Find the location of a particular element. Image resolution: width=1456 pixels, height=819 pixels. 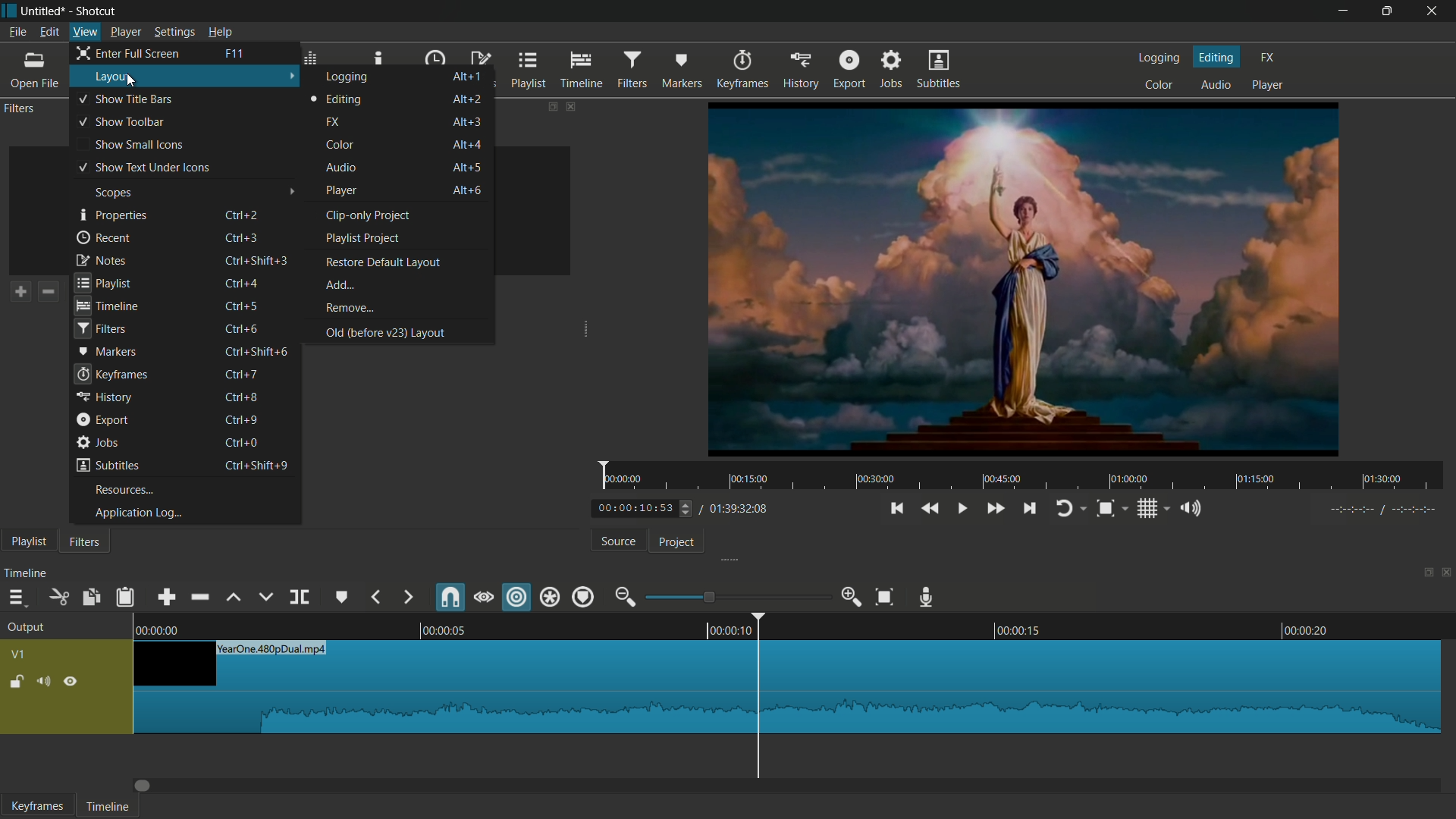

keyboard shortcut is located at coordinates (468, 121).